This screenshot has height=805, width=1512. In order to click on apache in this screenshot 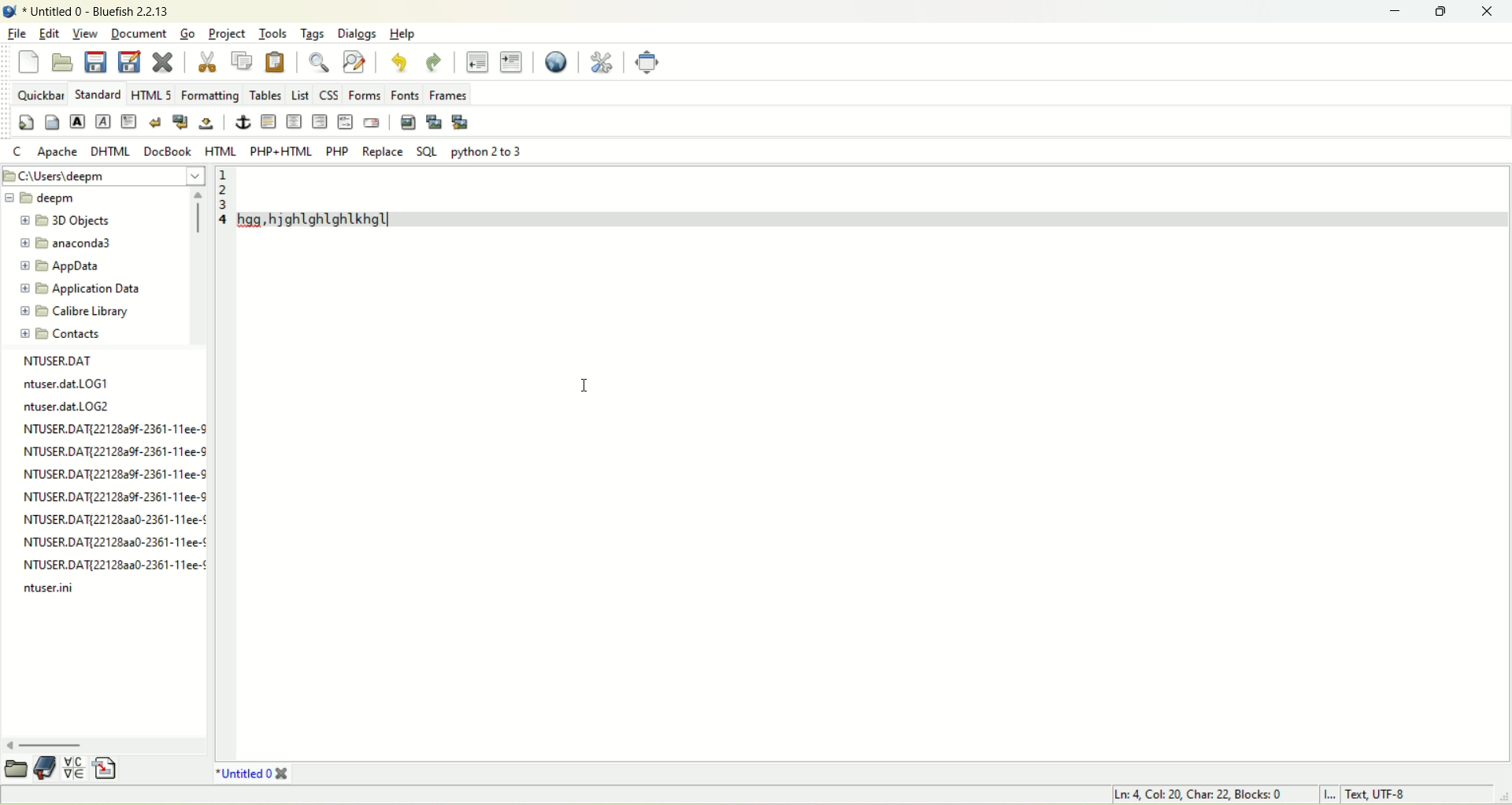, I will do `click(57, 152)`.